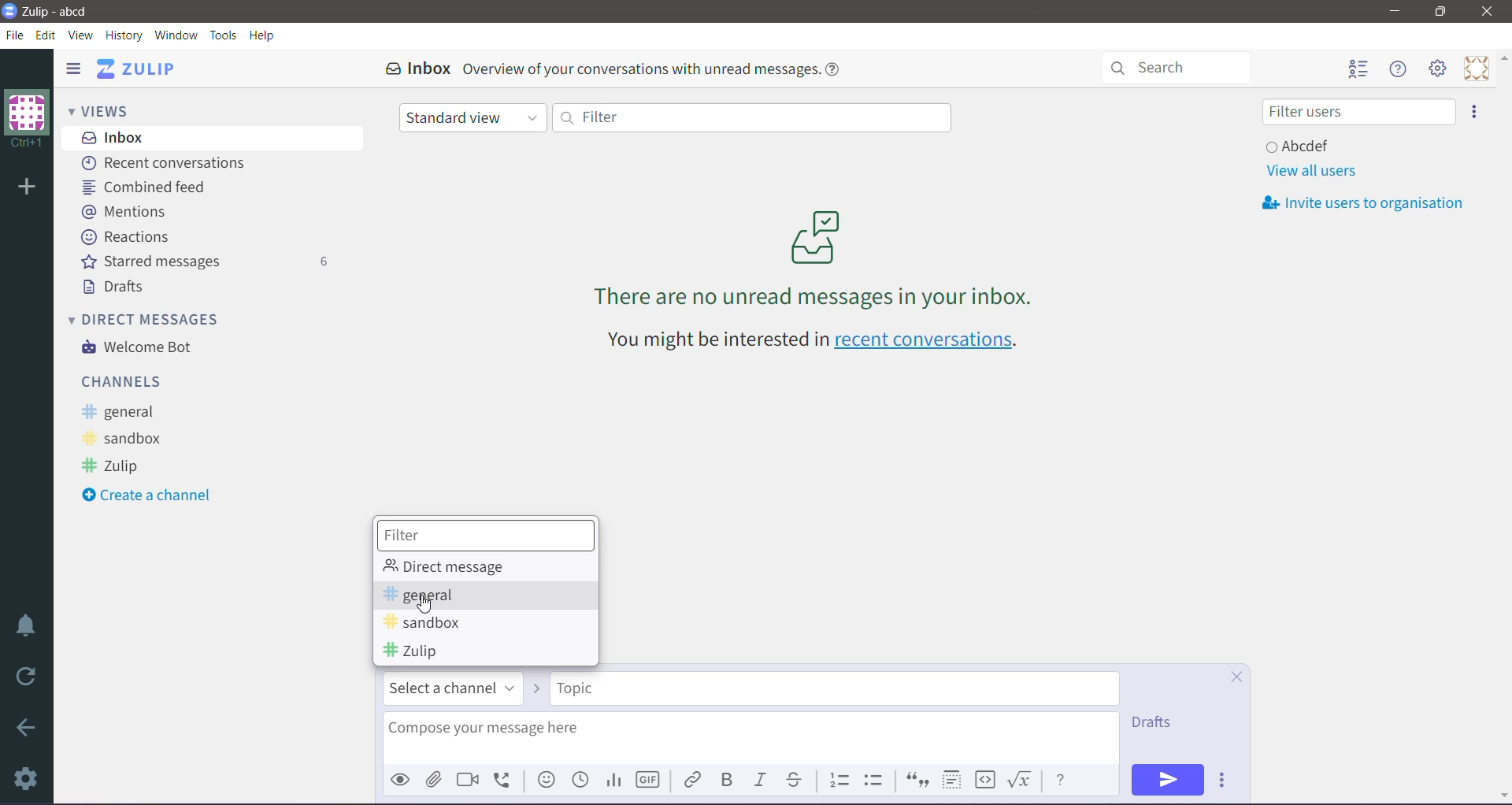 Image resolution: width=1512 pixels, height=805 pixels. Describe the element at coordinates (1236, 678) in the screenshot. I see `Cancel Compose` at that location.